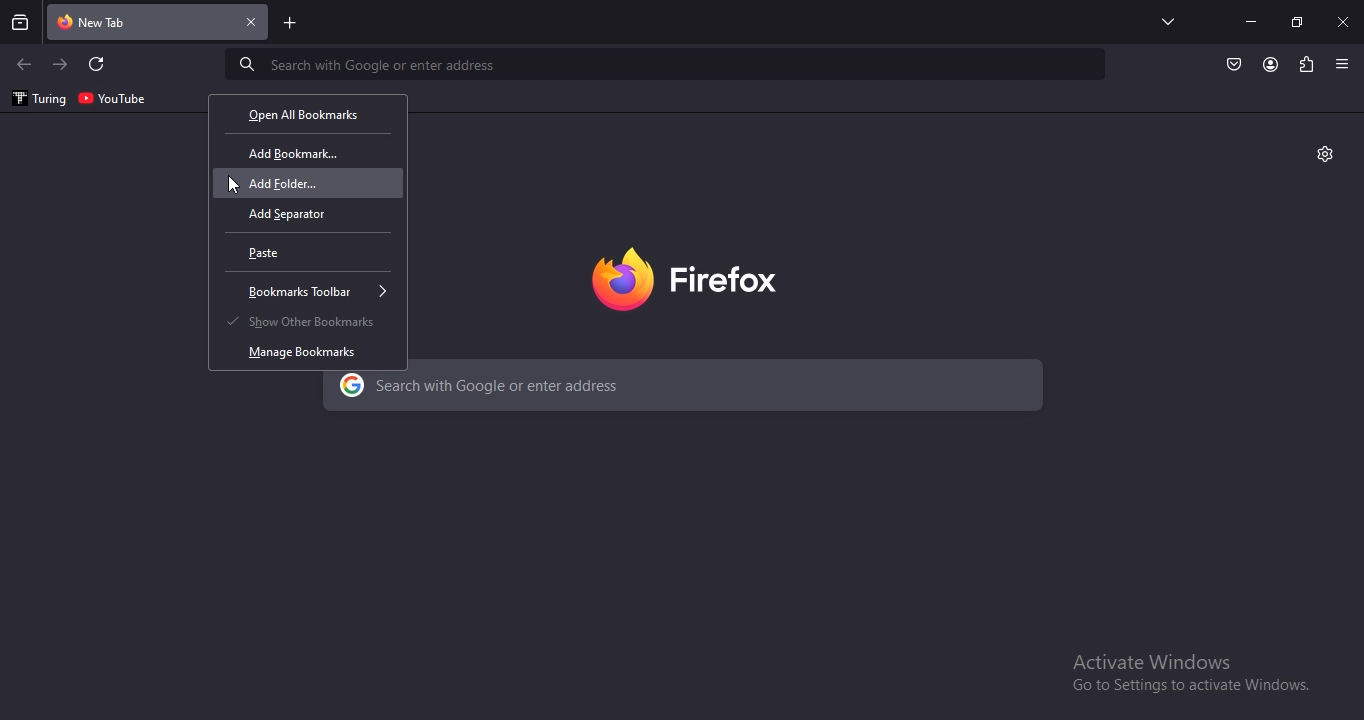 The width and height of the screenshot is (1364, 720). I want to click on turing, so click(37, 99).